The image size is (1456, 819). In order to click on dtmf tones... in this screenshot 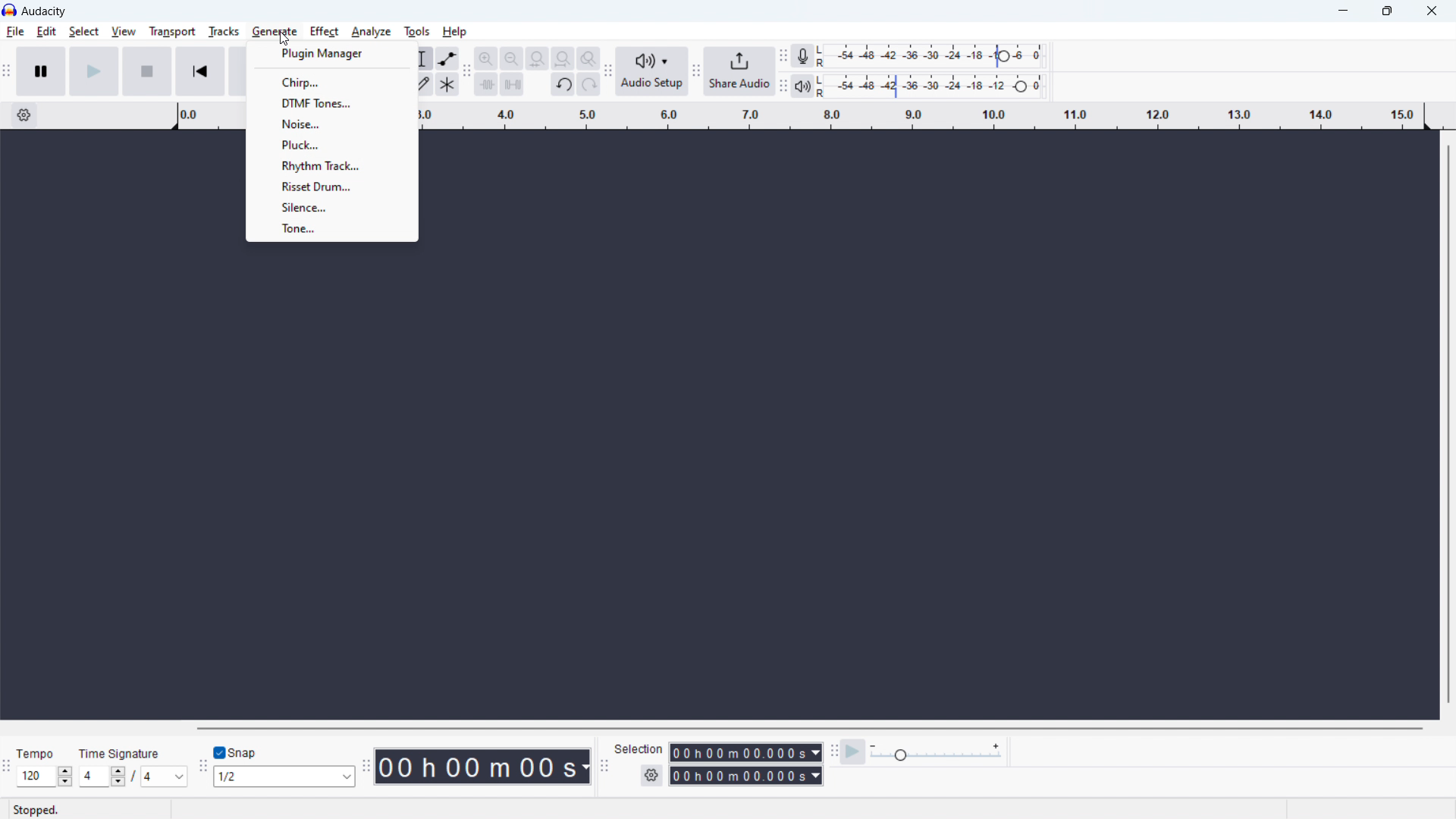, I will do `click(333, 102)`.